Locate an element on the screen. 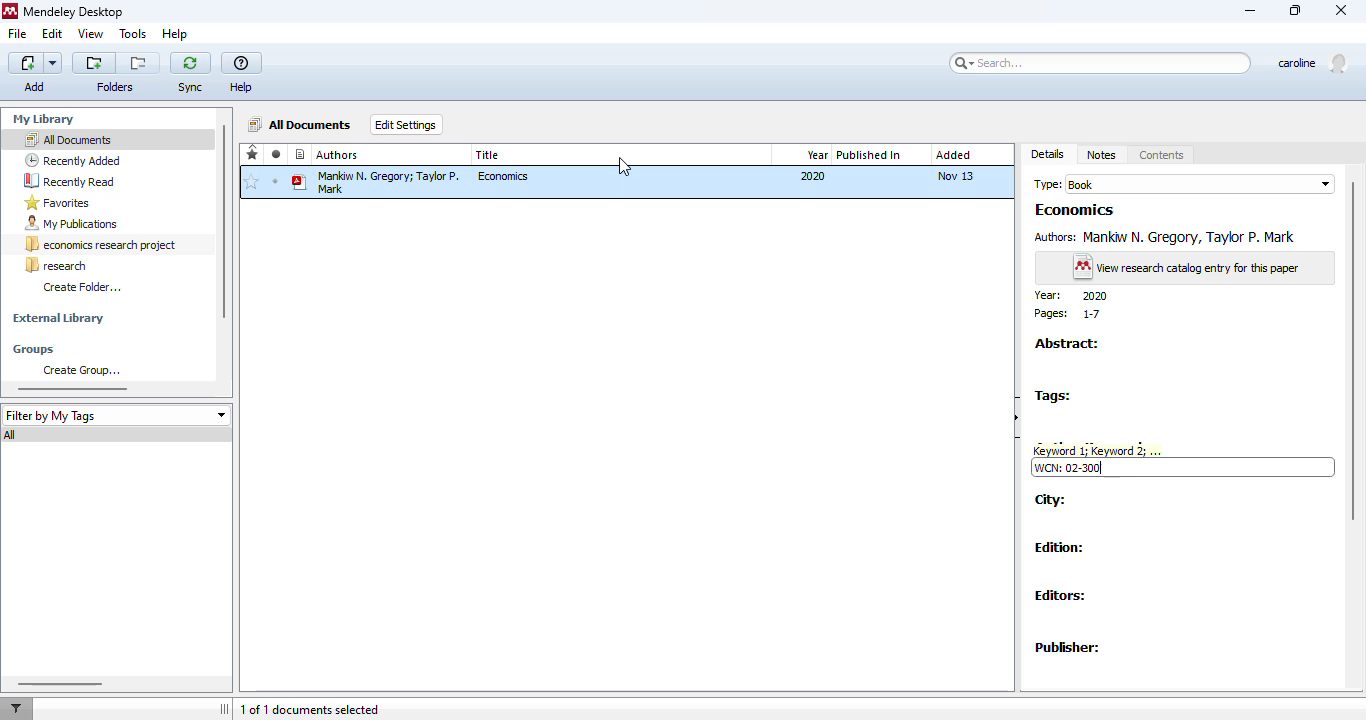 The width and height of the screenshot is (1366, 720). recently read is located at coordinates (72, 182).